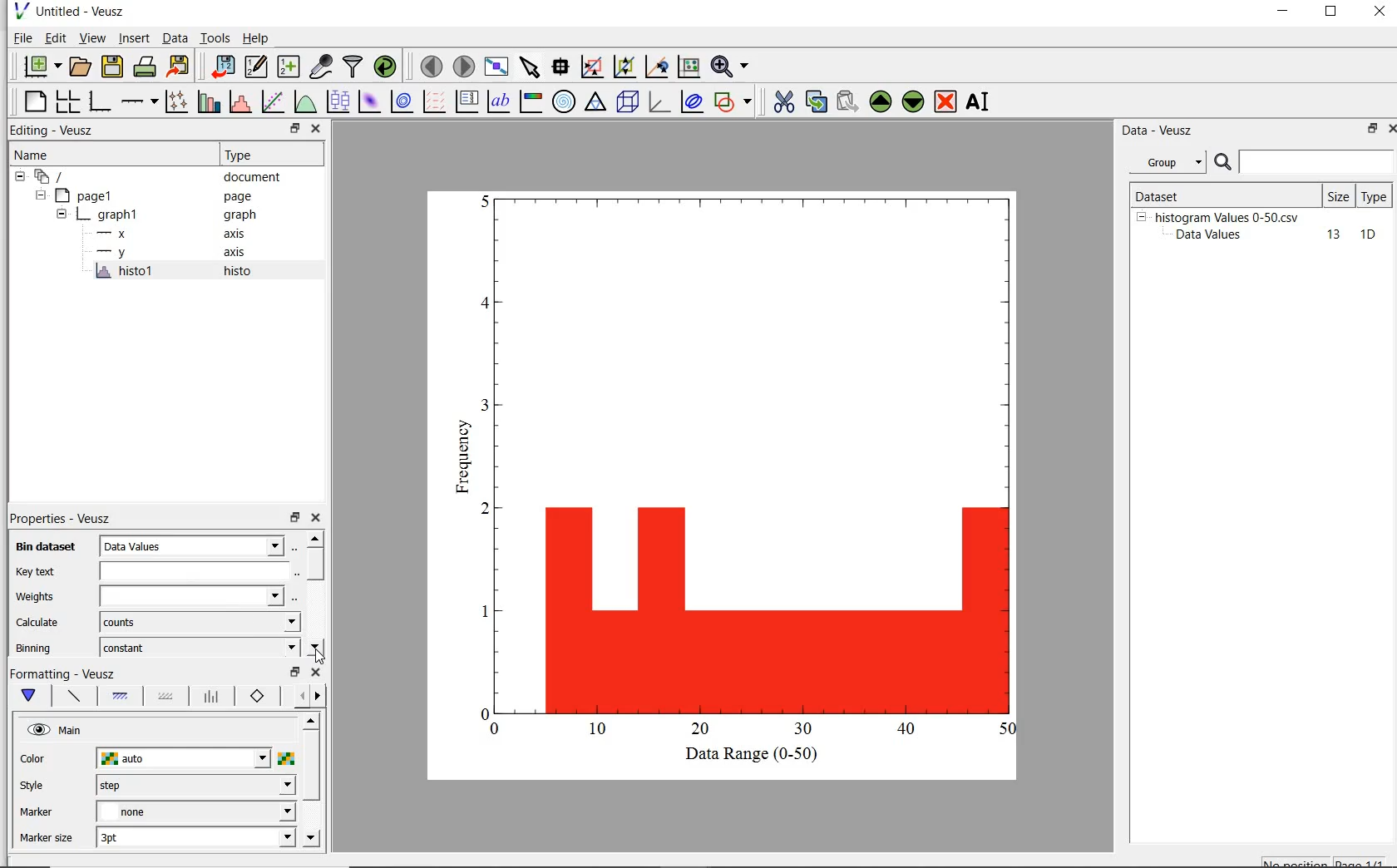 The image size is (1397, 868). What do you see at coordinates (241, 215) in the screenshot?
I see `` at bounding box center [241, 215].